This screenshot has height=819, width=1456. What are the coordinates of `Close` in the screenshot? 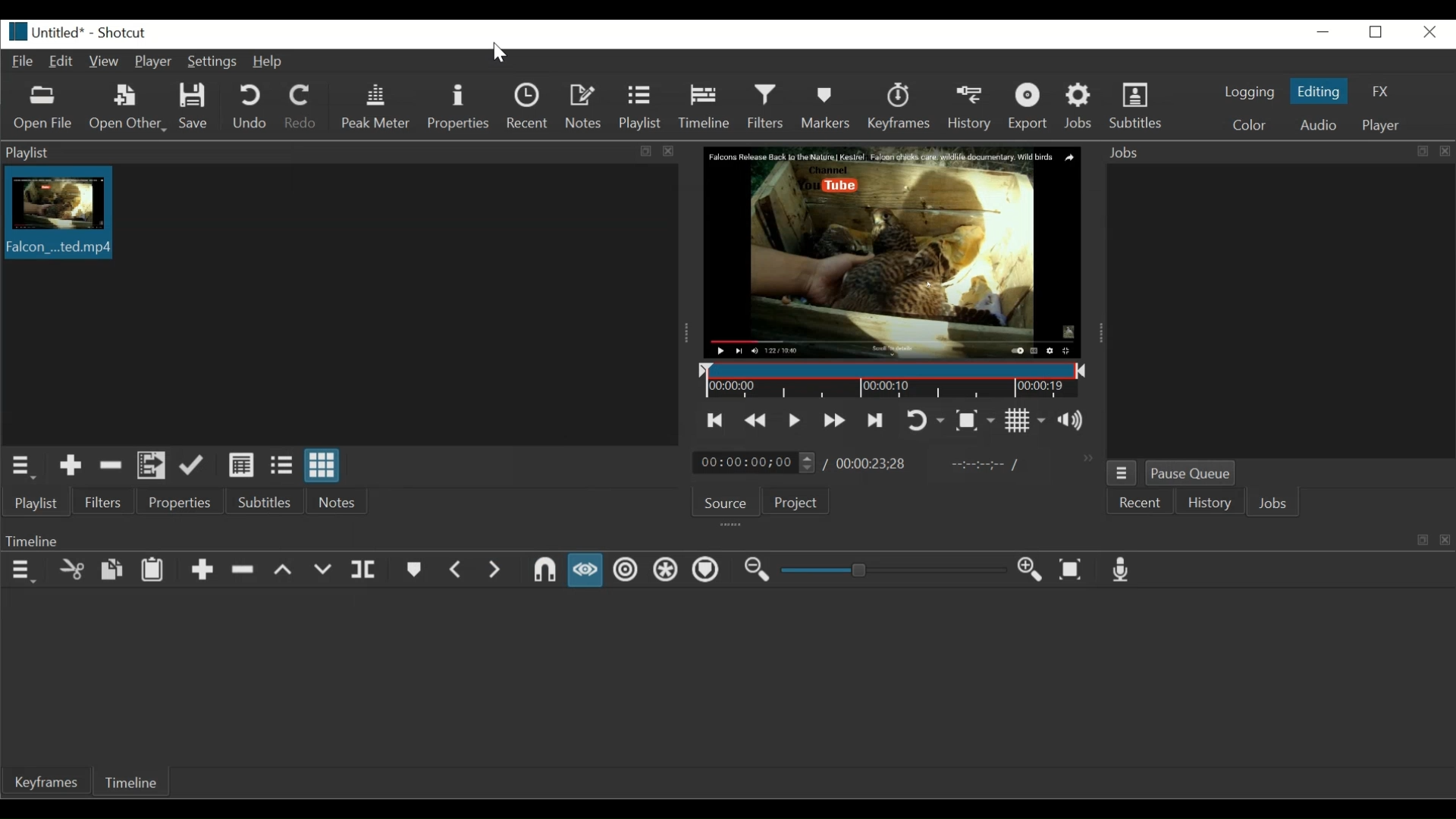 It's located at (1426, 32).